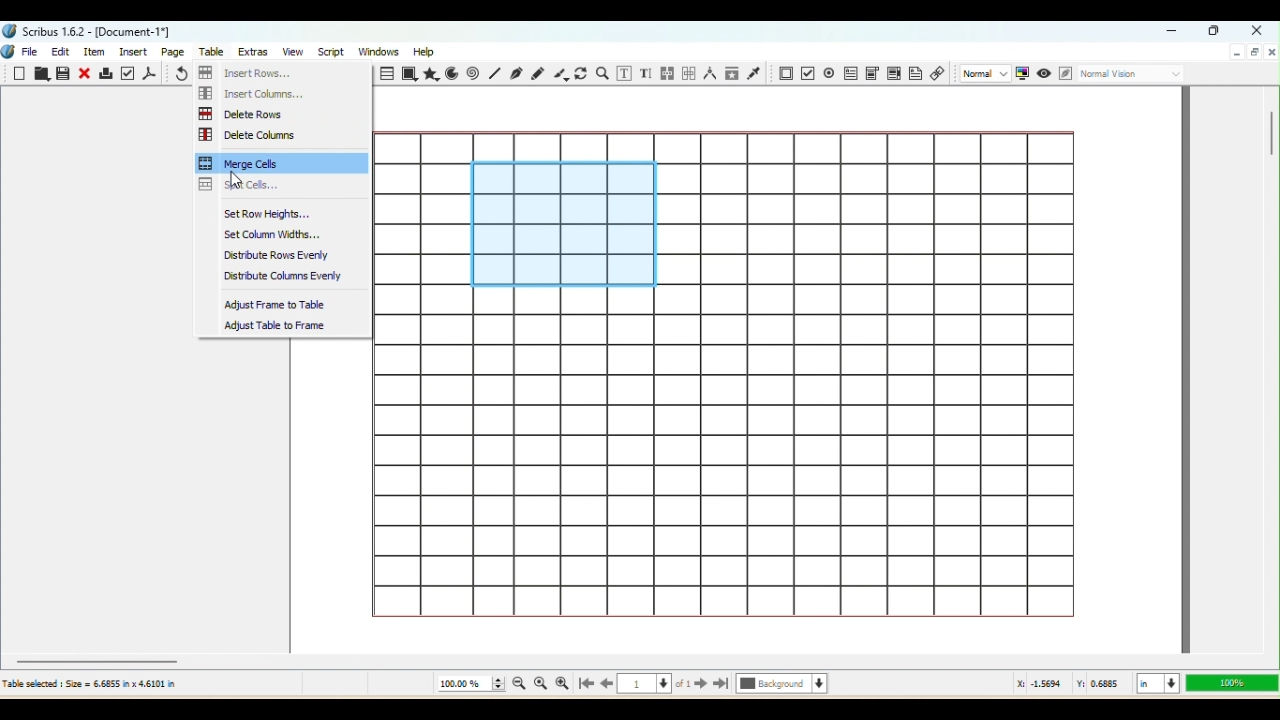  Describe the element at coordinates (708, 74) in the screenshot. I see `Measurements` at that location.